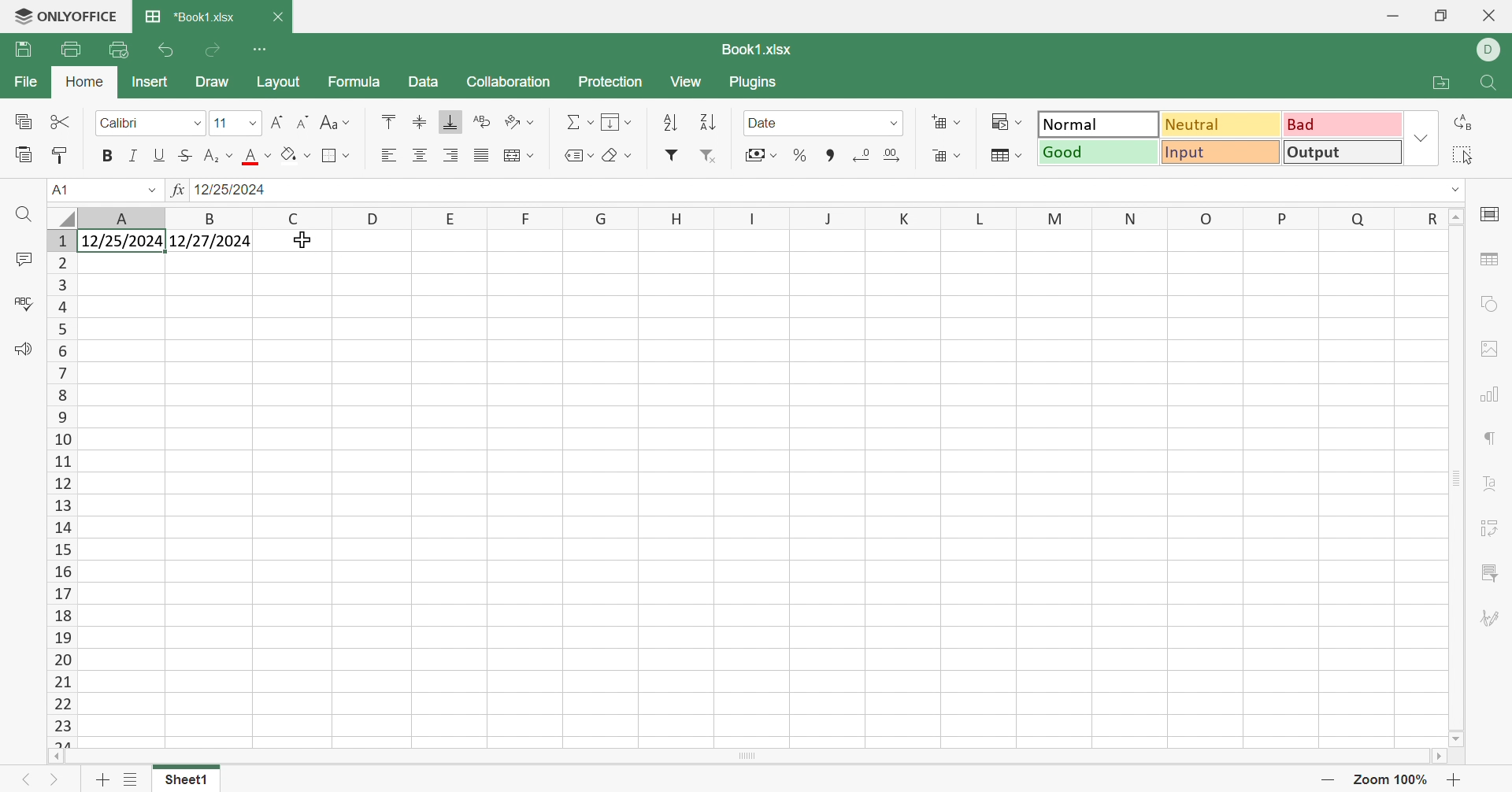 The height and width of the screenshot is (792, 1512). What do you see at coordinates (1492, 619) in the screenshot?
I see `Signature settings` at bounding box center [1492, 619].